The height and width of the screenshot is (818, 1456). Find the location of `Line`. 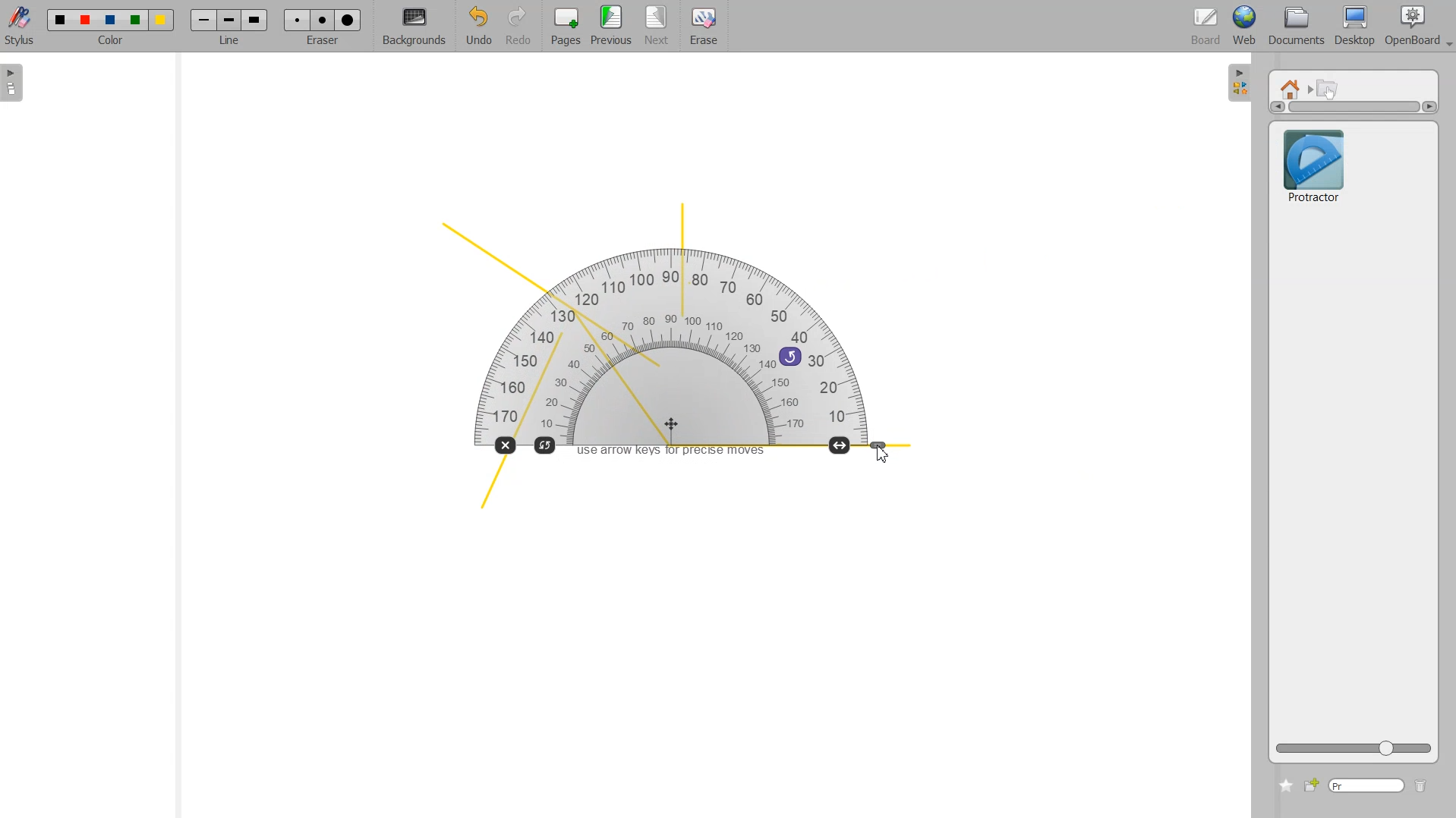

Line is located at coordinates (229, 20).